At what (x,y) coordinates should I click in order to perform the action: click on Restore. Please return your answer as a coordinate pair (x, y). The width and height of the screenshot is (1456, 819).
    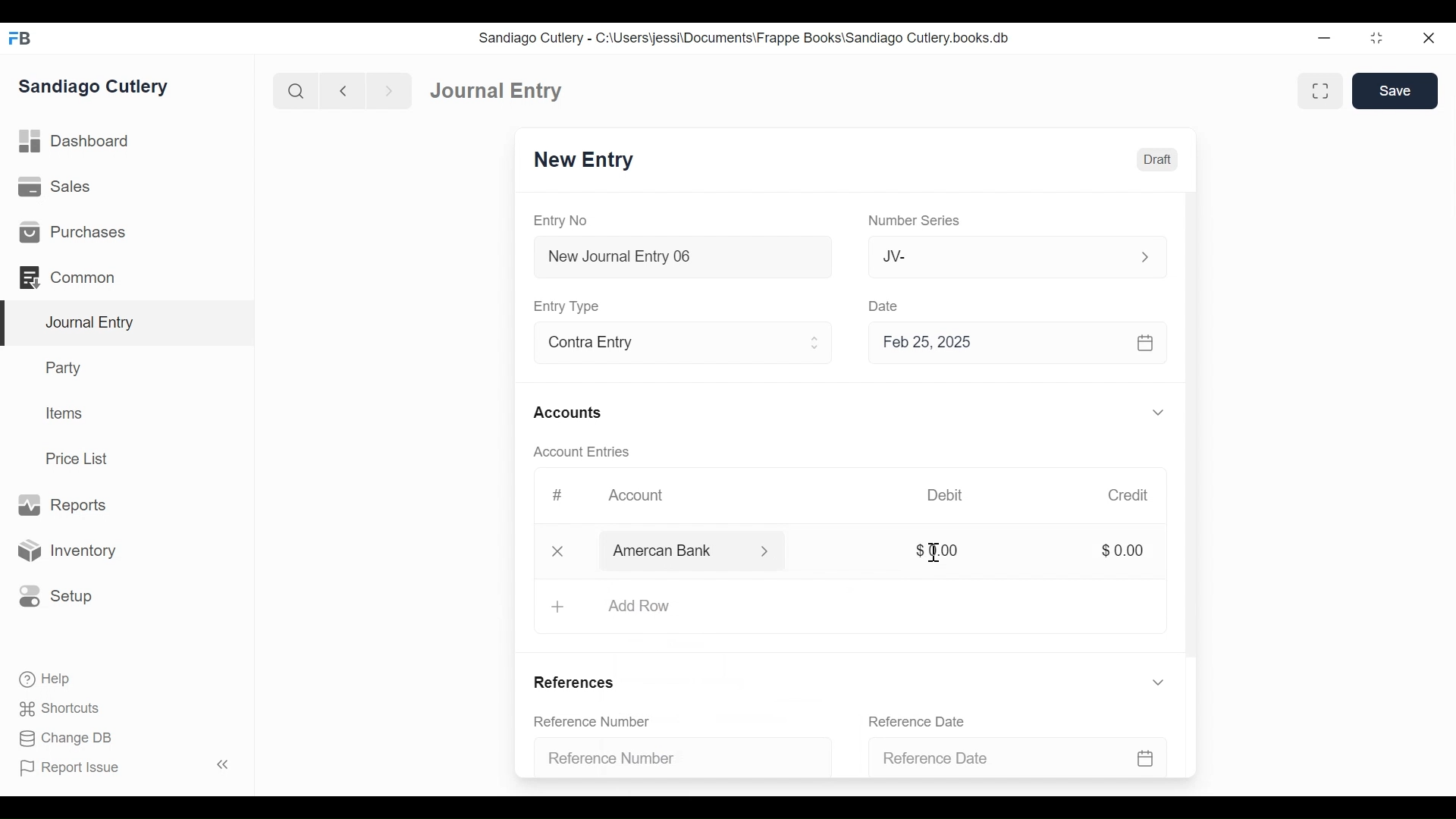
    Looking at the image, I should click on (1379, 37).